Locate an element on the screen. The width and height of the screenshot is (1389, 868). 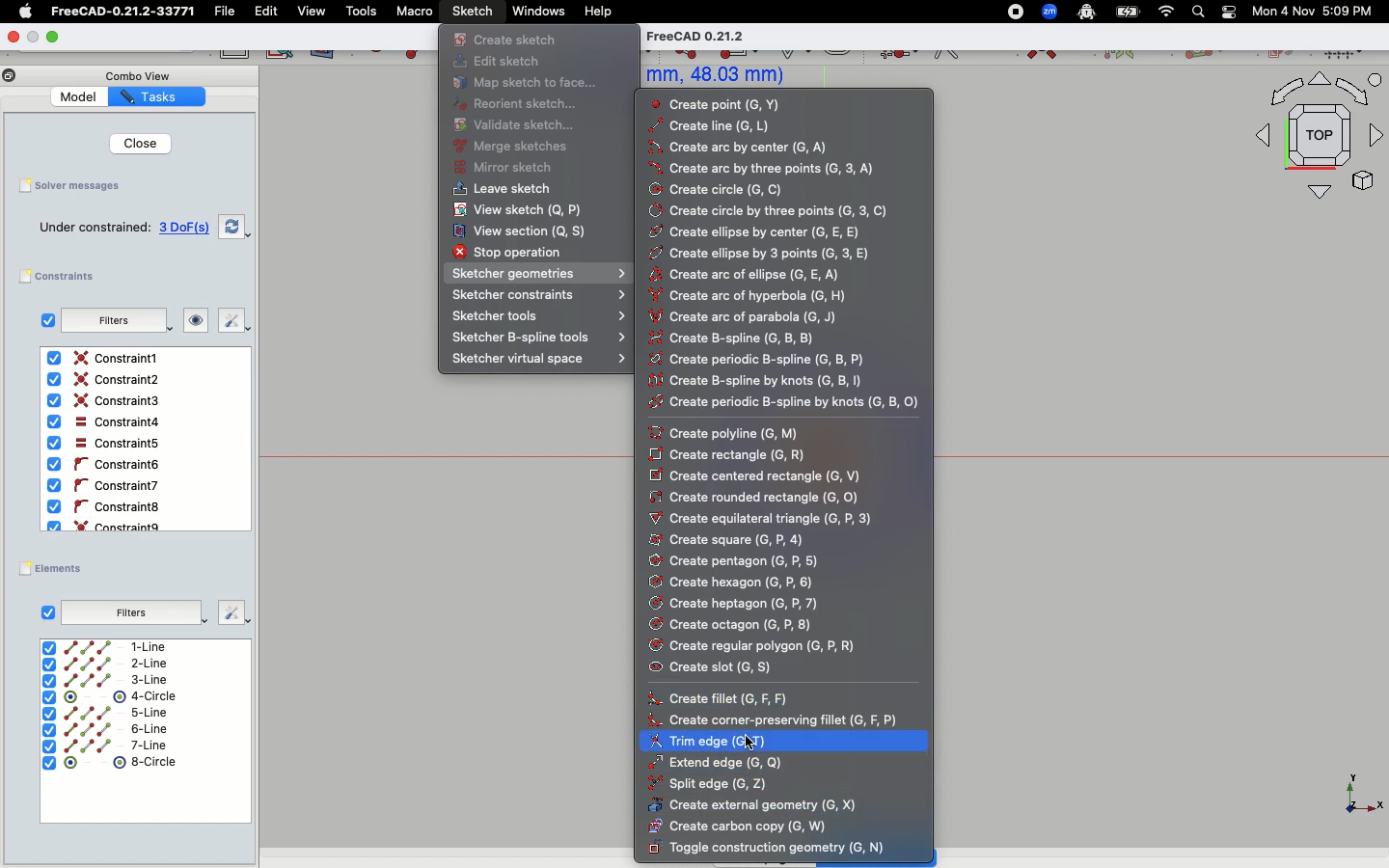
Elements is located at coordinates (56, 568).